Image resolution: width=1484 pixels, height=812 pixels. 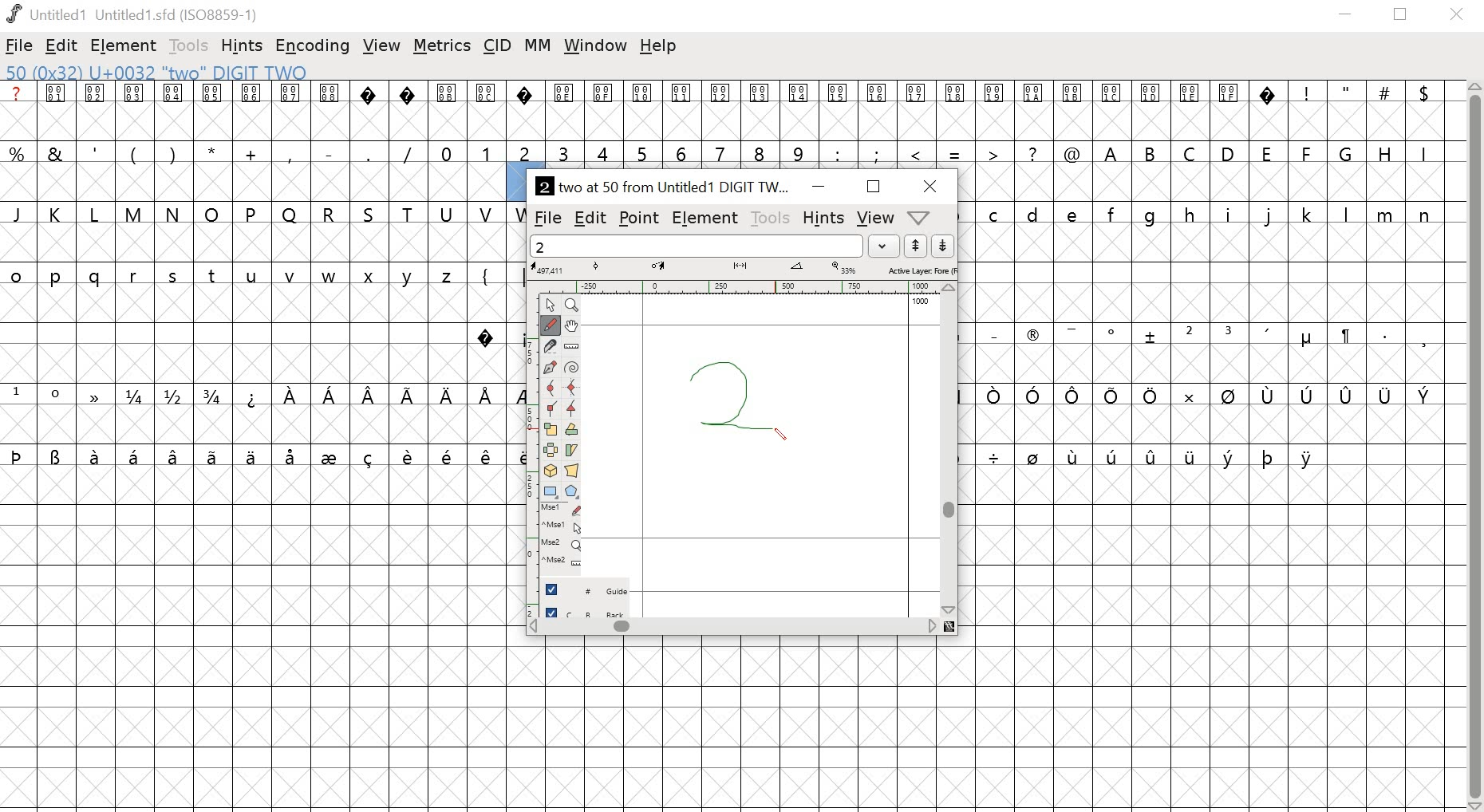 What do you see at coordinates (922, 218) in the screenshot?
I see `metrics, window, help` at bounding box center [922, 218].